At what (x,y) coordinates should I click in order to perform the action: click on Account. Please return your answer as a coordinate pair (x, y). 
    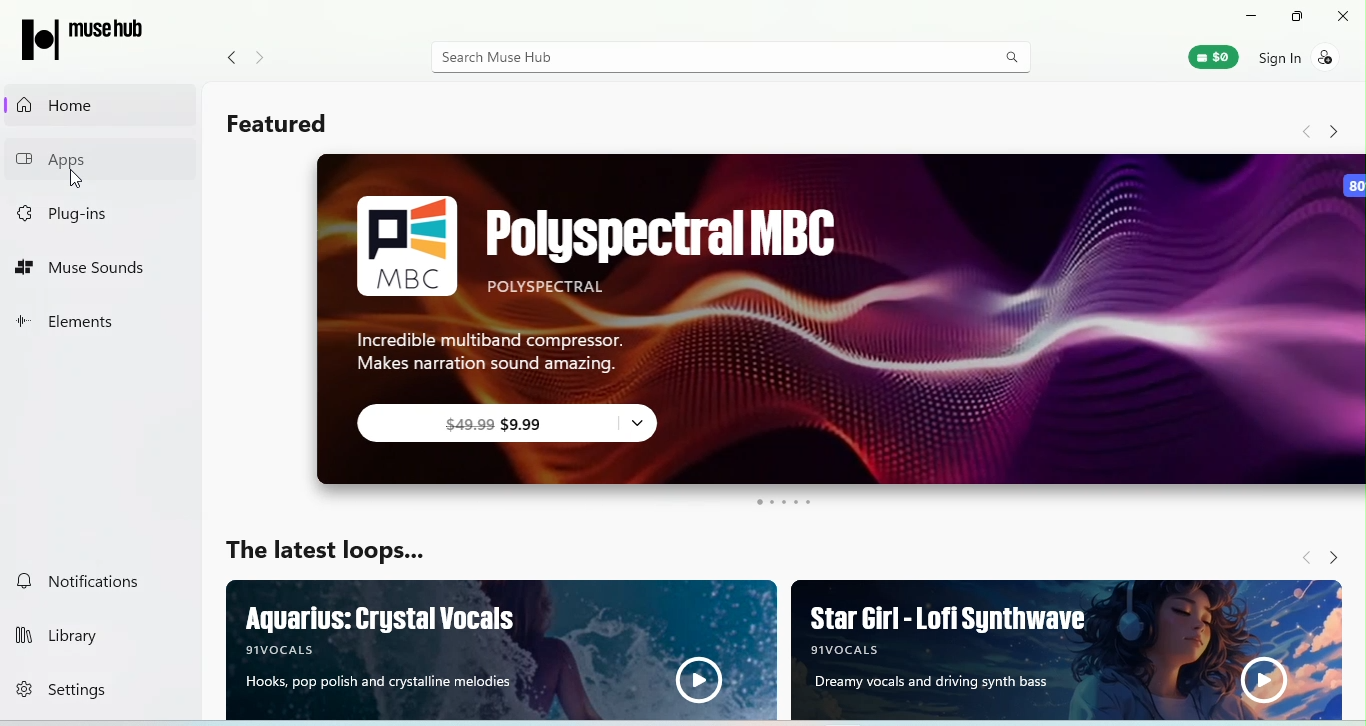
    Looking at the image, I should click on (1296, 59).